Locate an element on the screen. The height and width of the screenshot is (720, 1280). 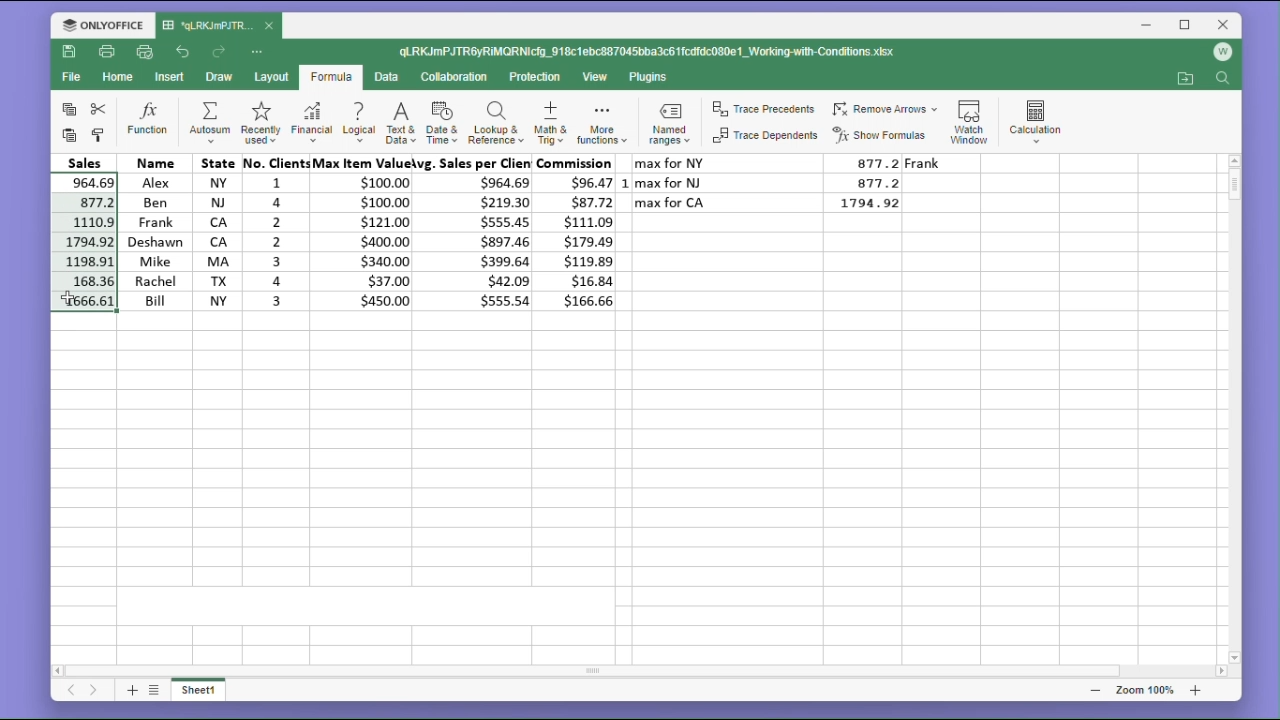
zoom 100% is located at coordinates (1141, 690).